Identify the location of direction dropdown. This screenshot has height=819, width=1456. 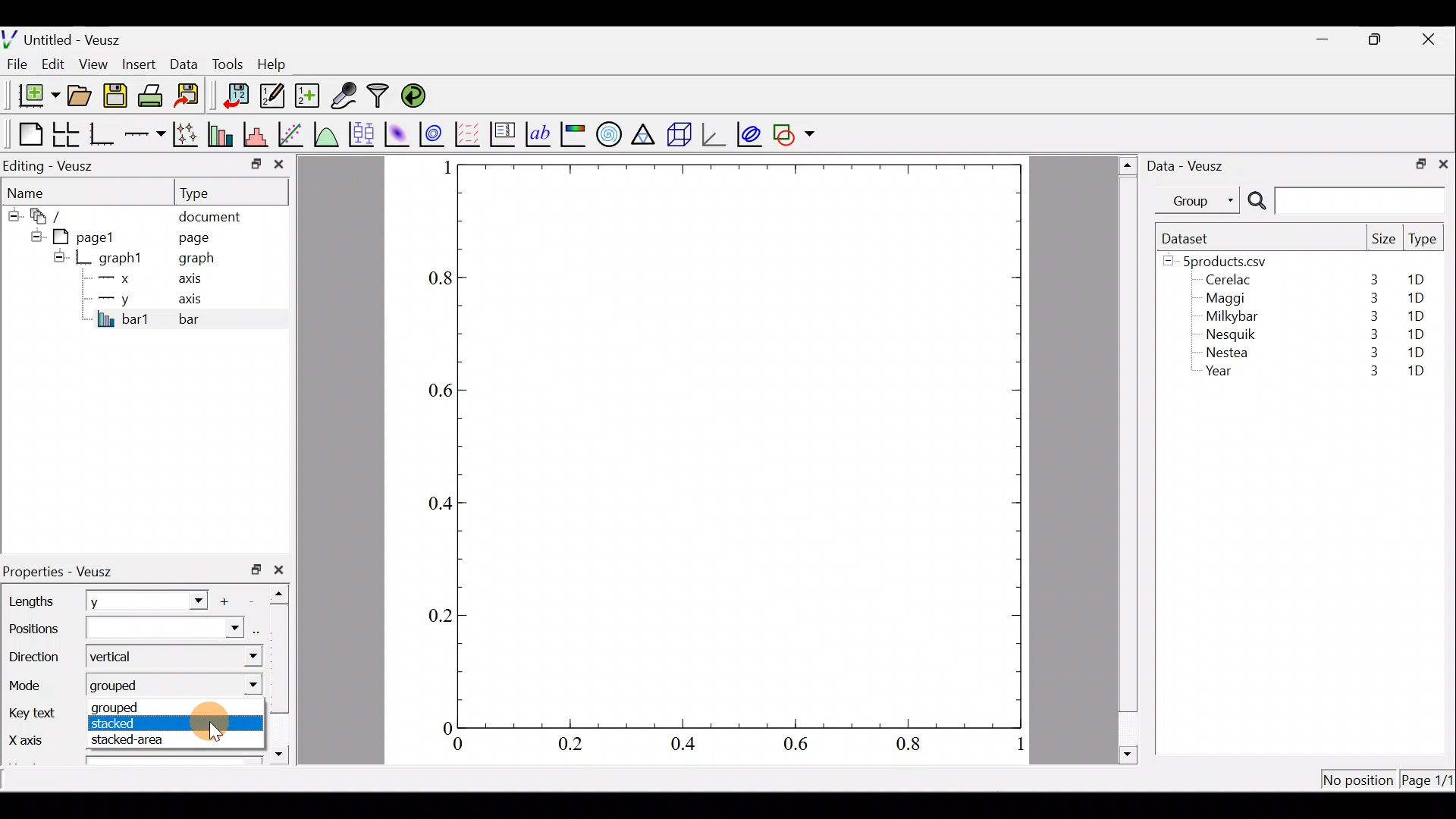
(237, 657).